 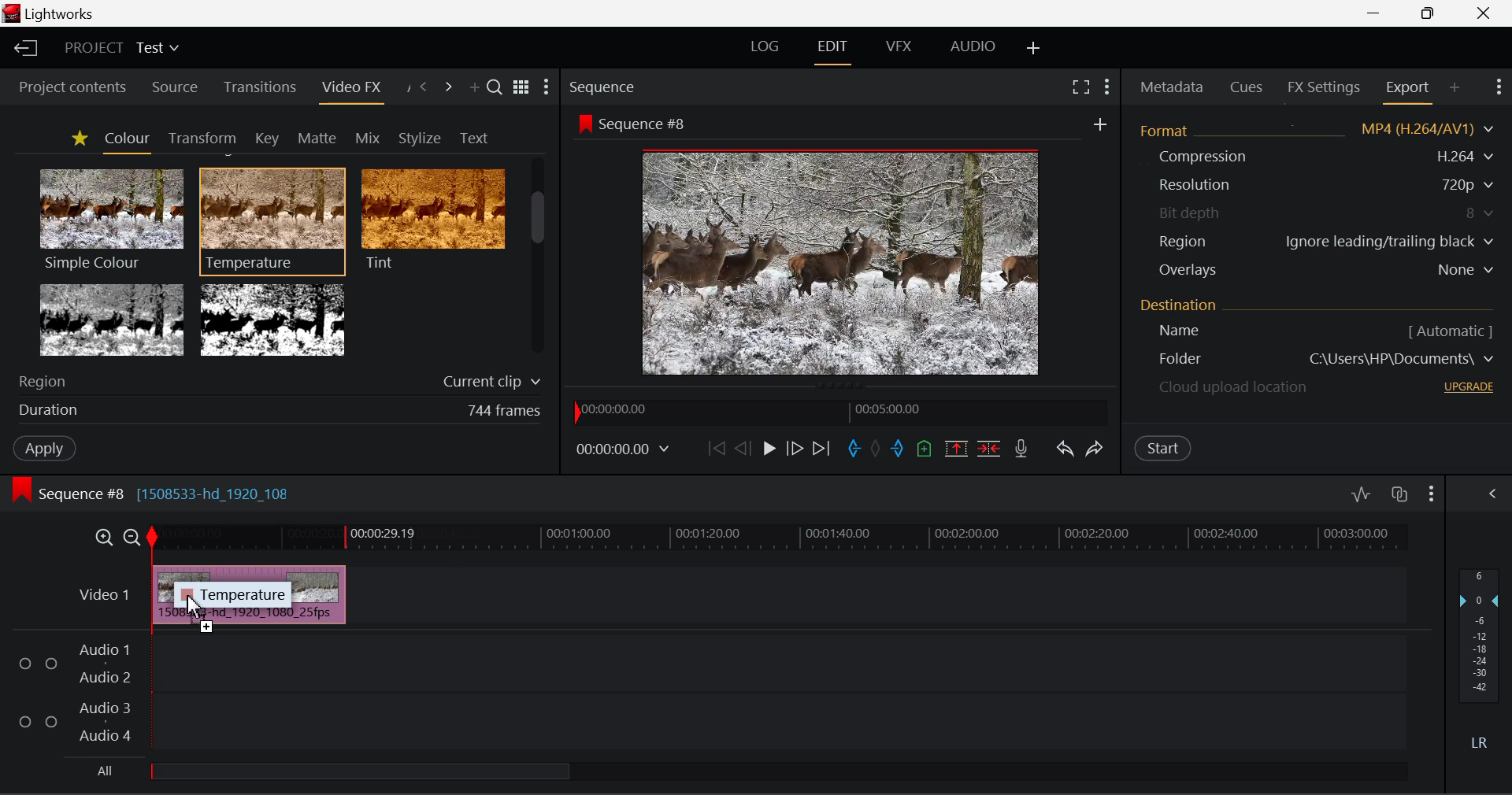 What do you see at coordinates (176, 90) in the screenshot?
I see `Source` at bounding box center [176, 90].